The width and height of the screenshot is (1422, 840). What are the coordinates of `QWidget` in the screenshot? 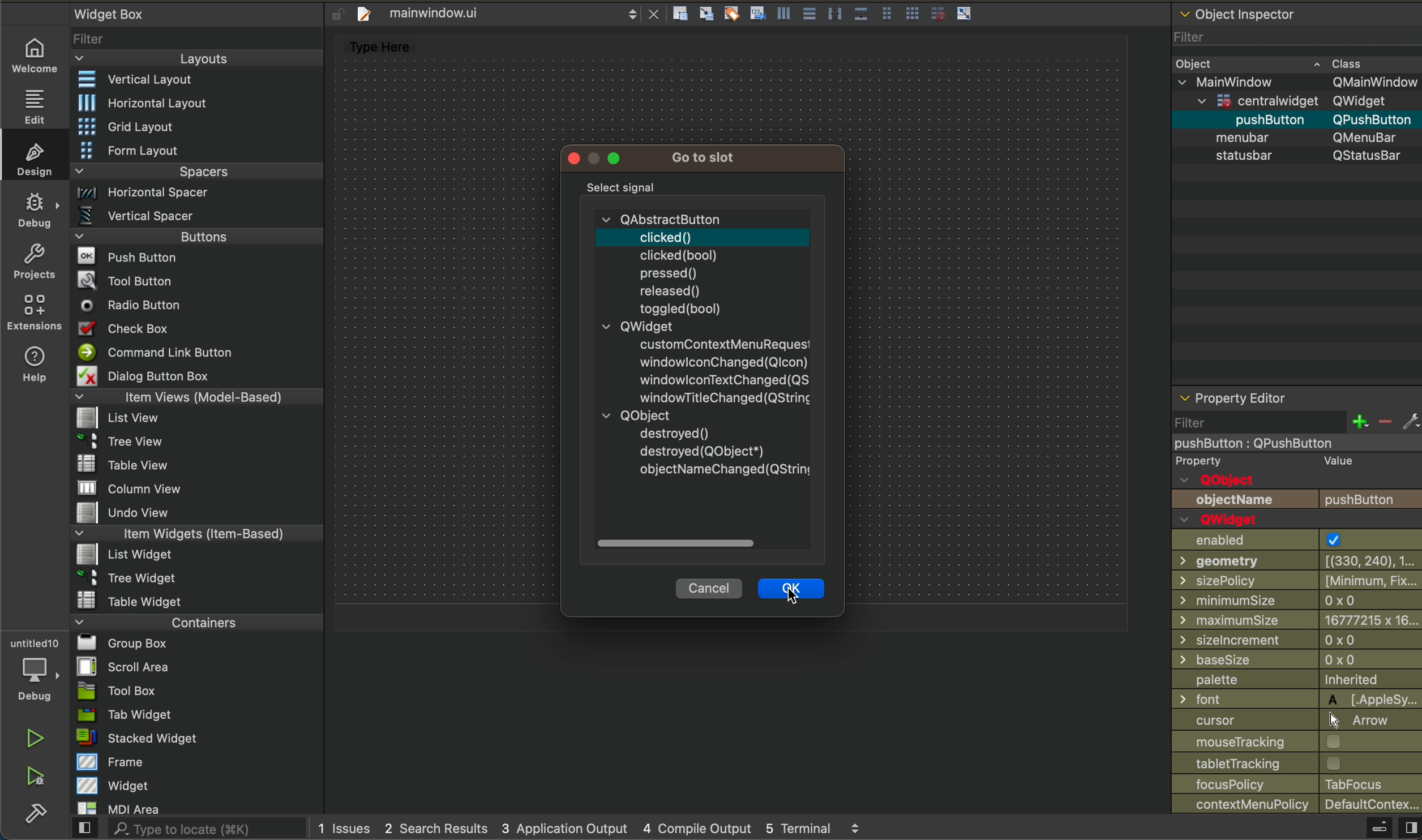 It's located at (636, 325).